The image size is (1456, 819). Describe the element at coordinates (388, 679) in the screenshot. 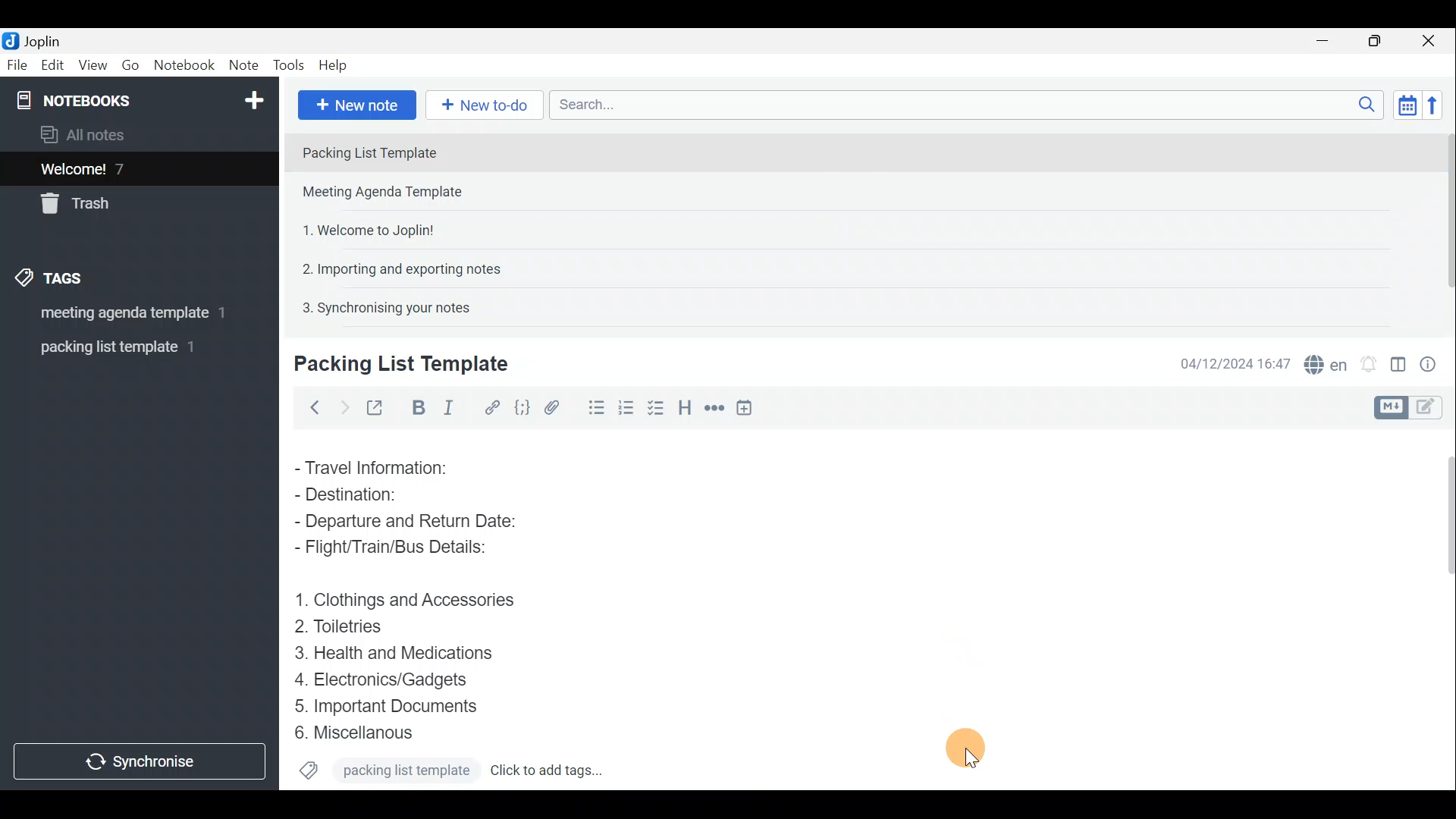

I see `Electronics/Gadgets` at that location.